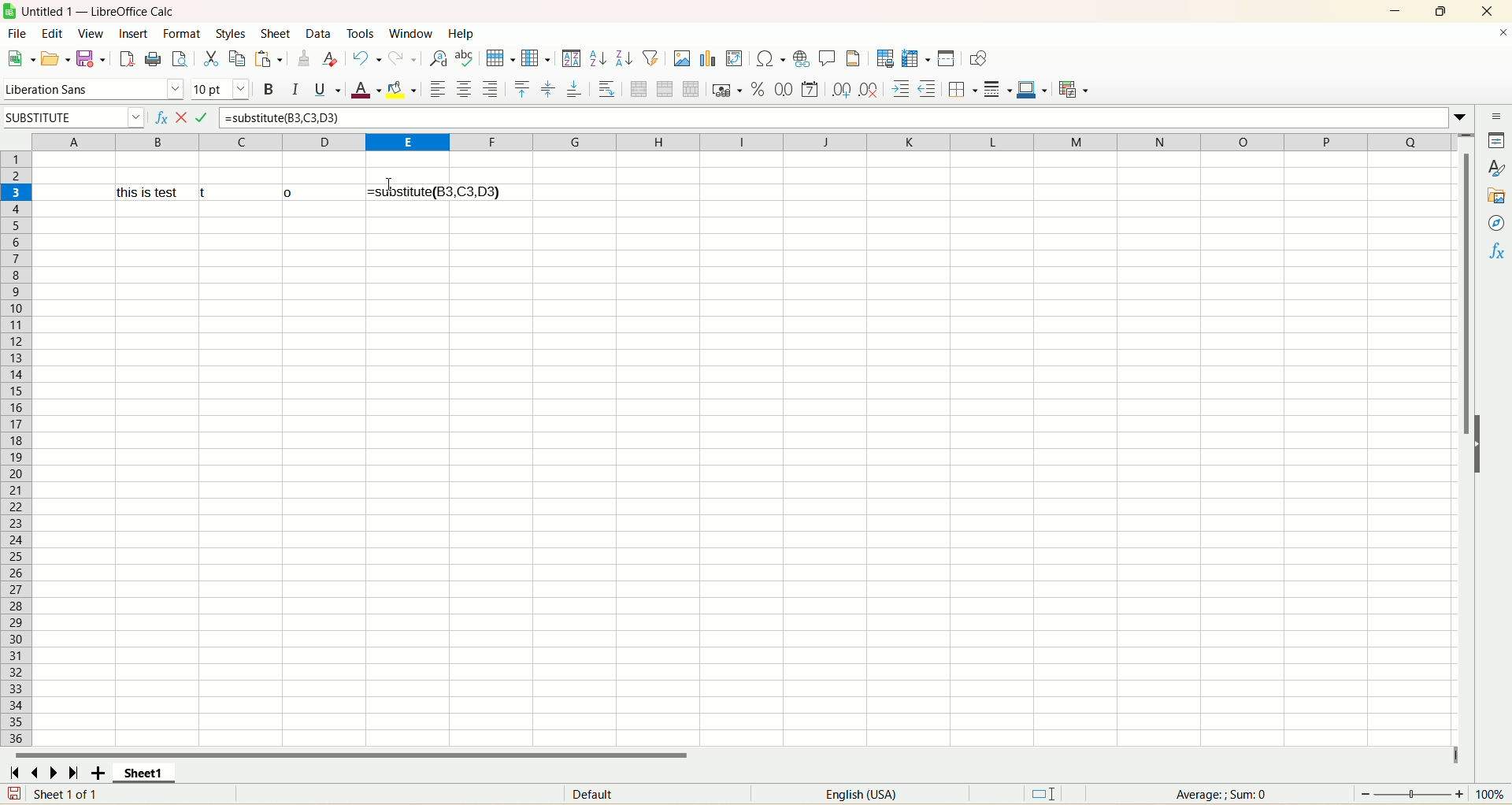 The width and height of the screenshot is (1512, 805). I want to click on insert, so click(132, 33).